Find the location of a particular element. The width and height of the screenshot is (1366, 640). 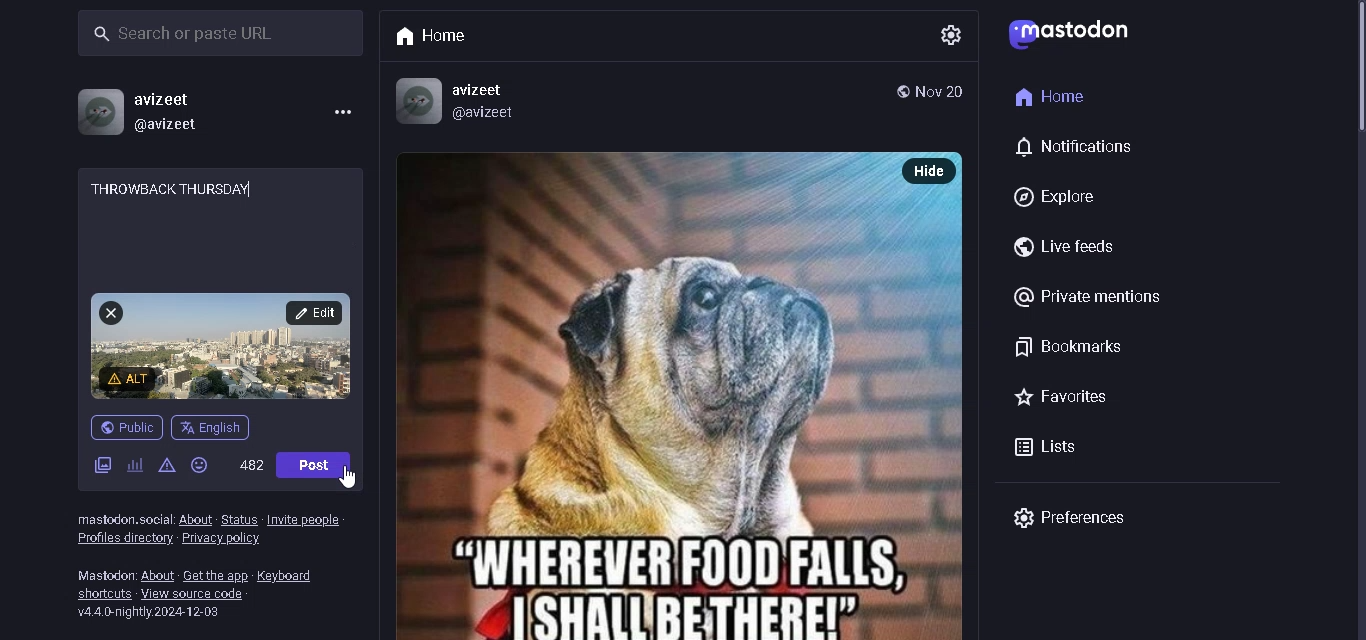

attached picture is located at coordinates (225, 346).